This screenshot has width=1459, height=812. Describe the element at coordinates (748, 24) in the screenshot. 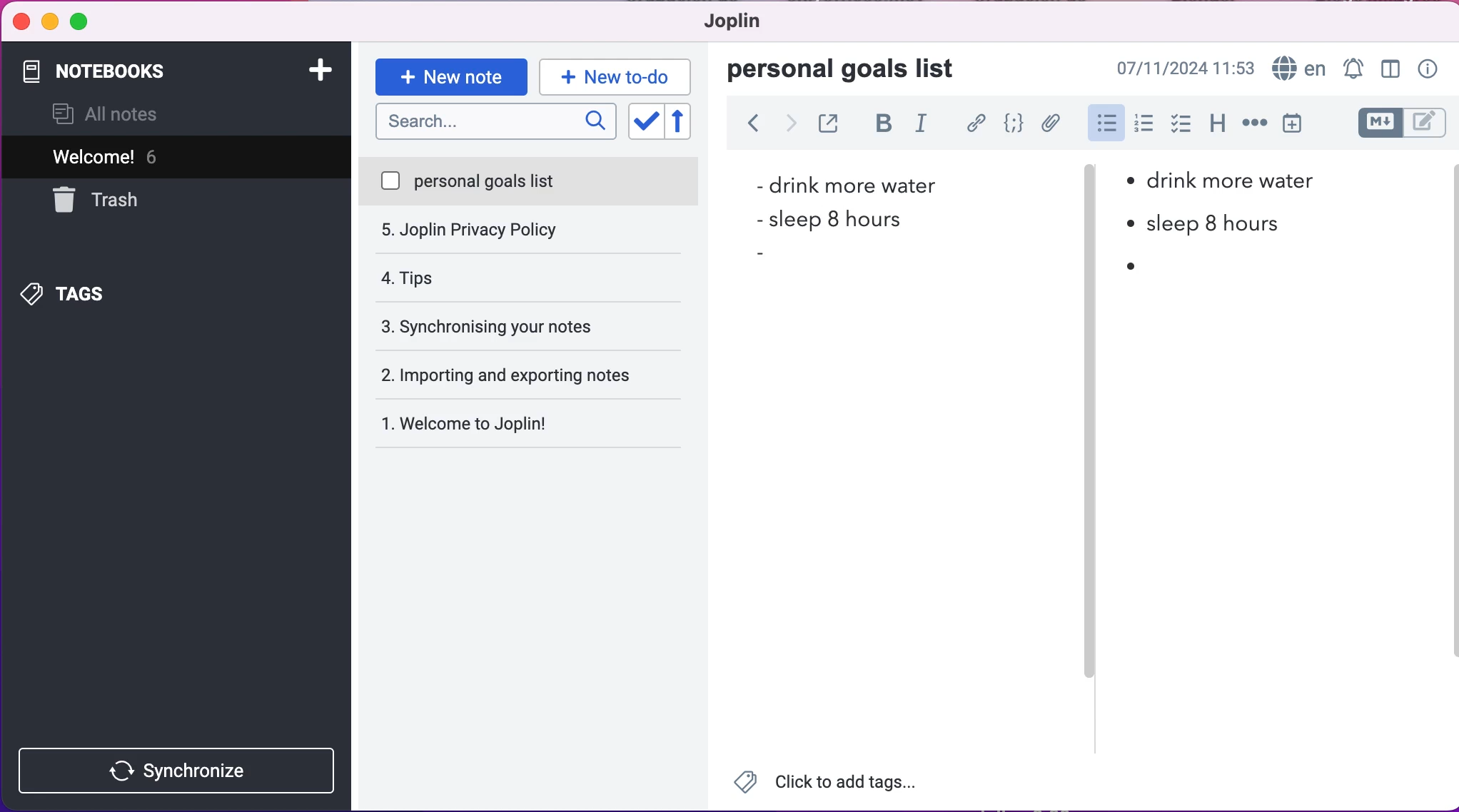

I see `joplin` at that location.